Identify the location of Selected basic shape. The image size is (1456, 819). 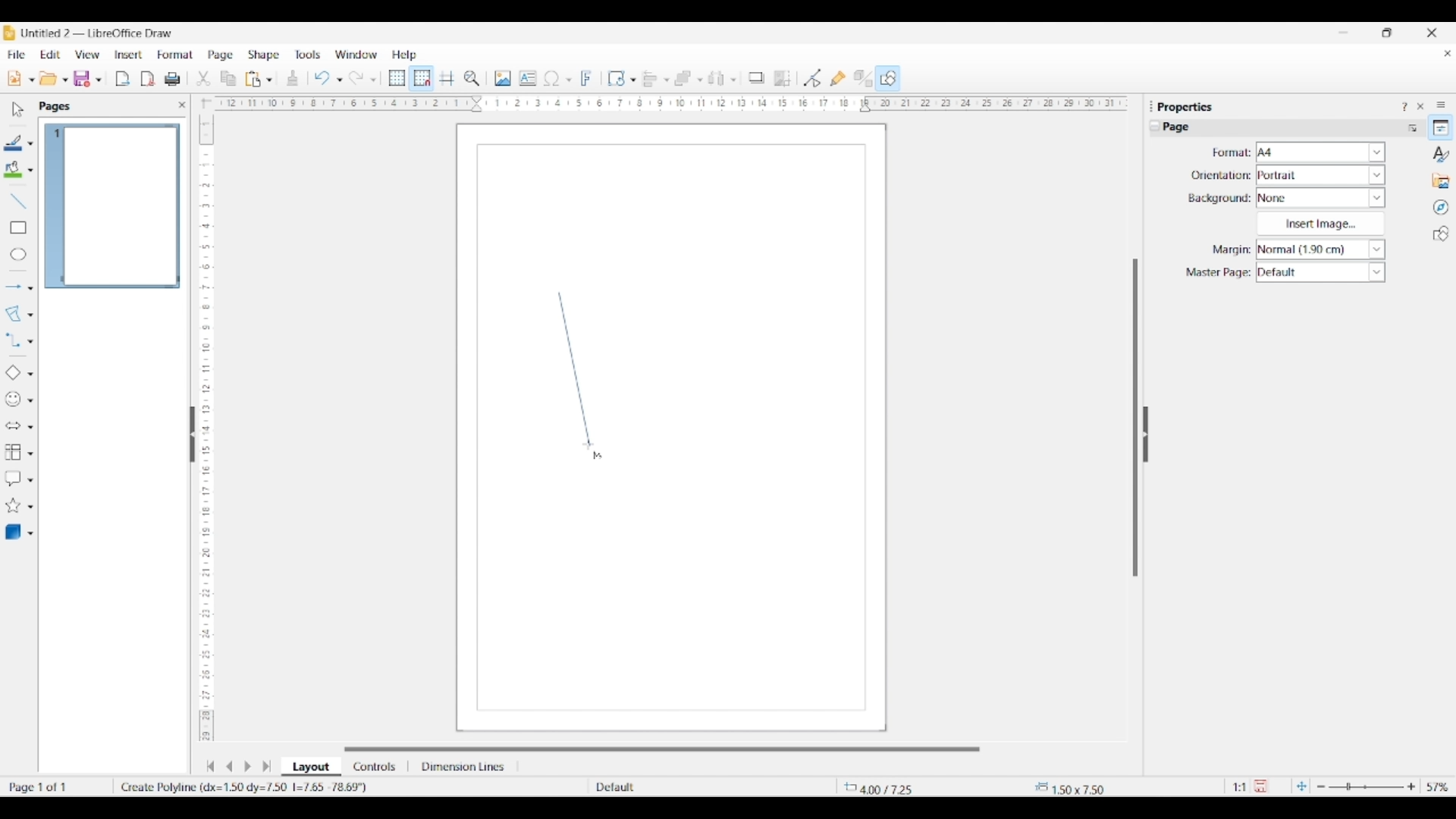
(12, 373).